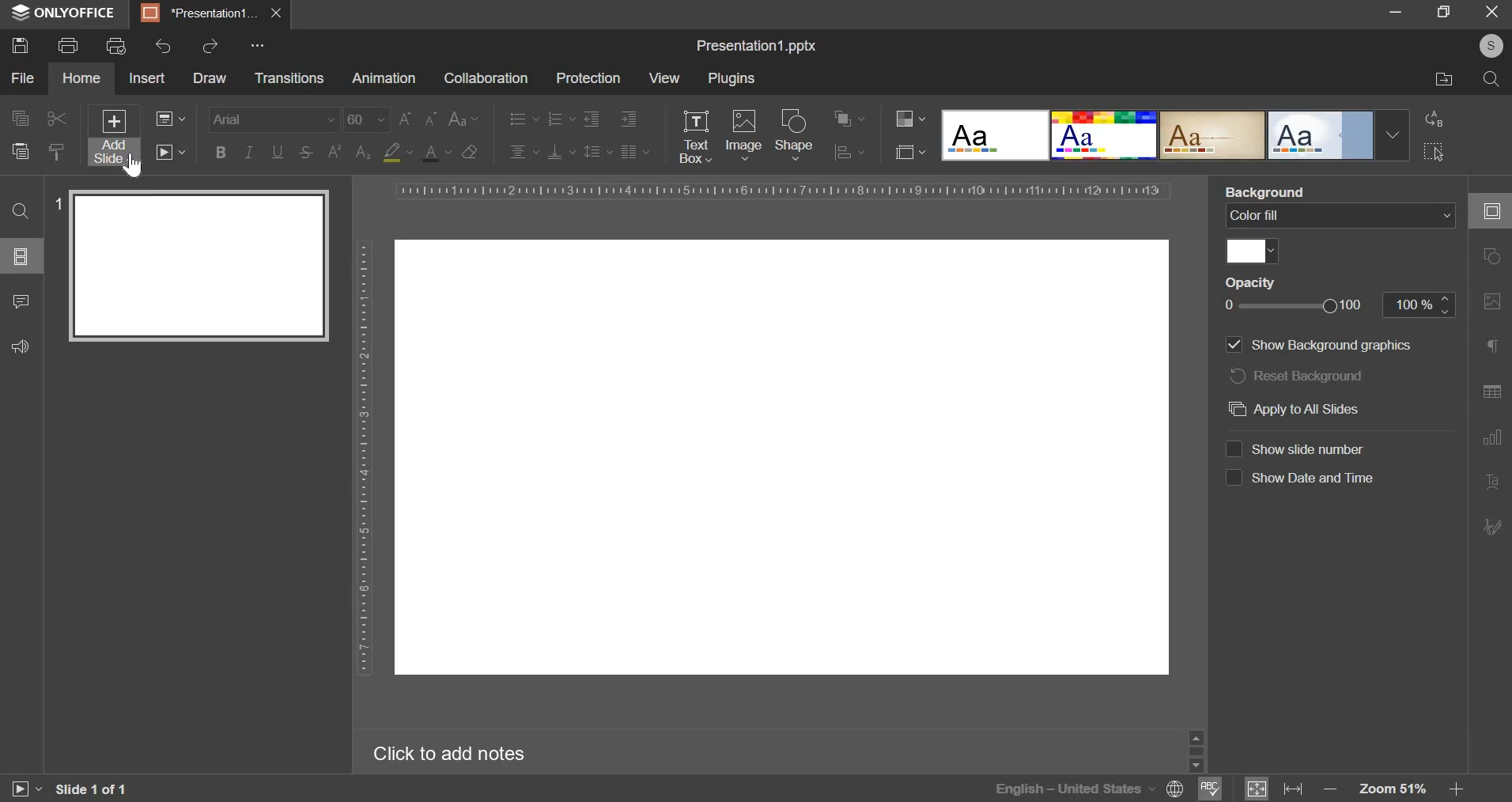 This screenshot has width=1512, height=802. Describe the element at coordinates (20, 299) in the screenshot. I see `comment` at that location.